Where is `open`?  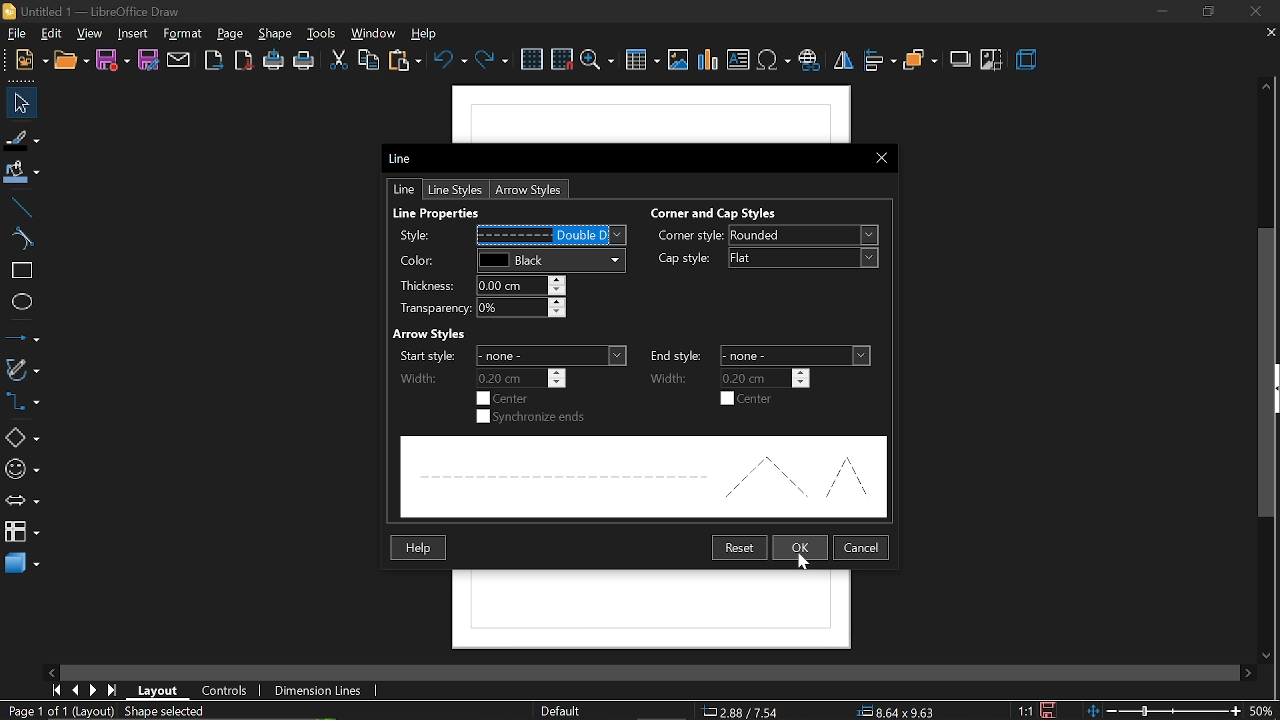
open is located at coordinates (30, 60).